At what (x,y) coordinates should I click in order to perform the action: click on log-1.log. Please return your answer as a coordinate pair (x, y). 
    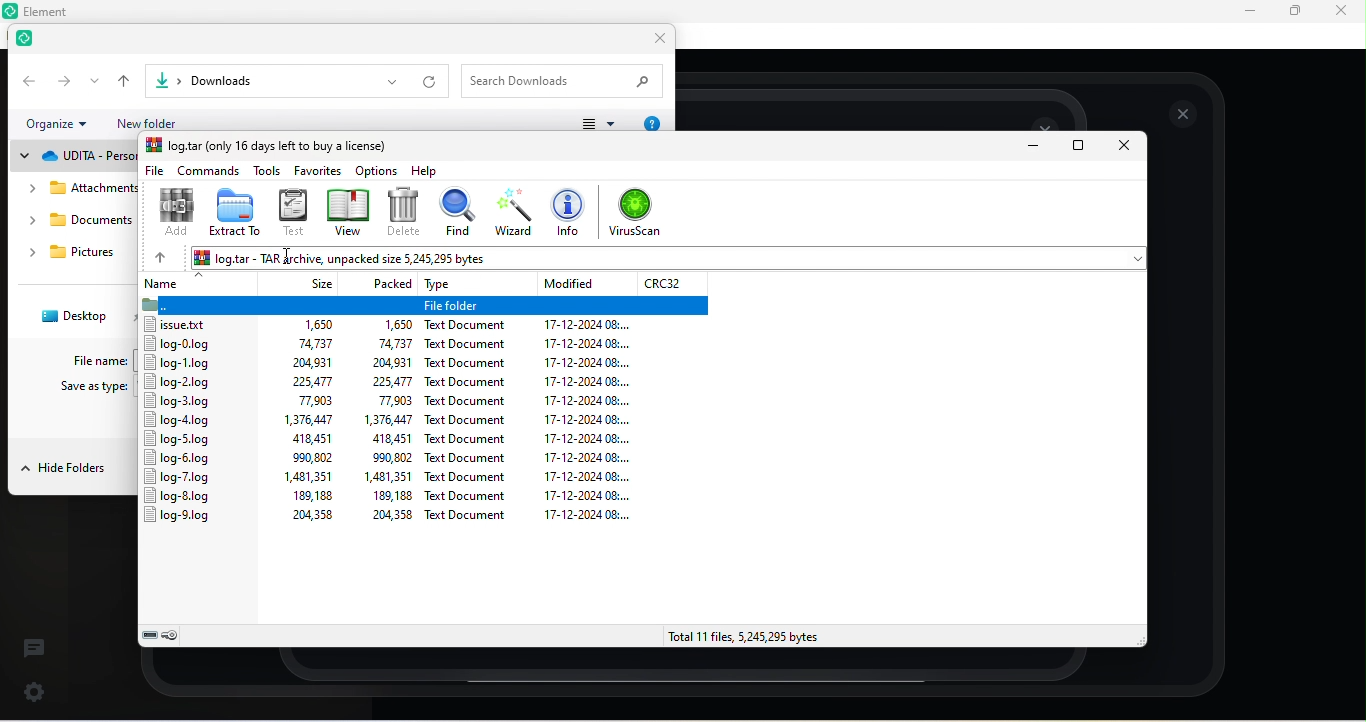
    Looking at the image, I should click on (178, 363).